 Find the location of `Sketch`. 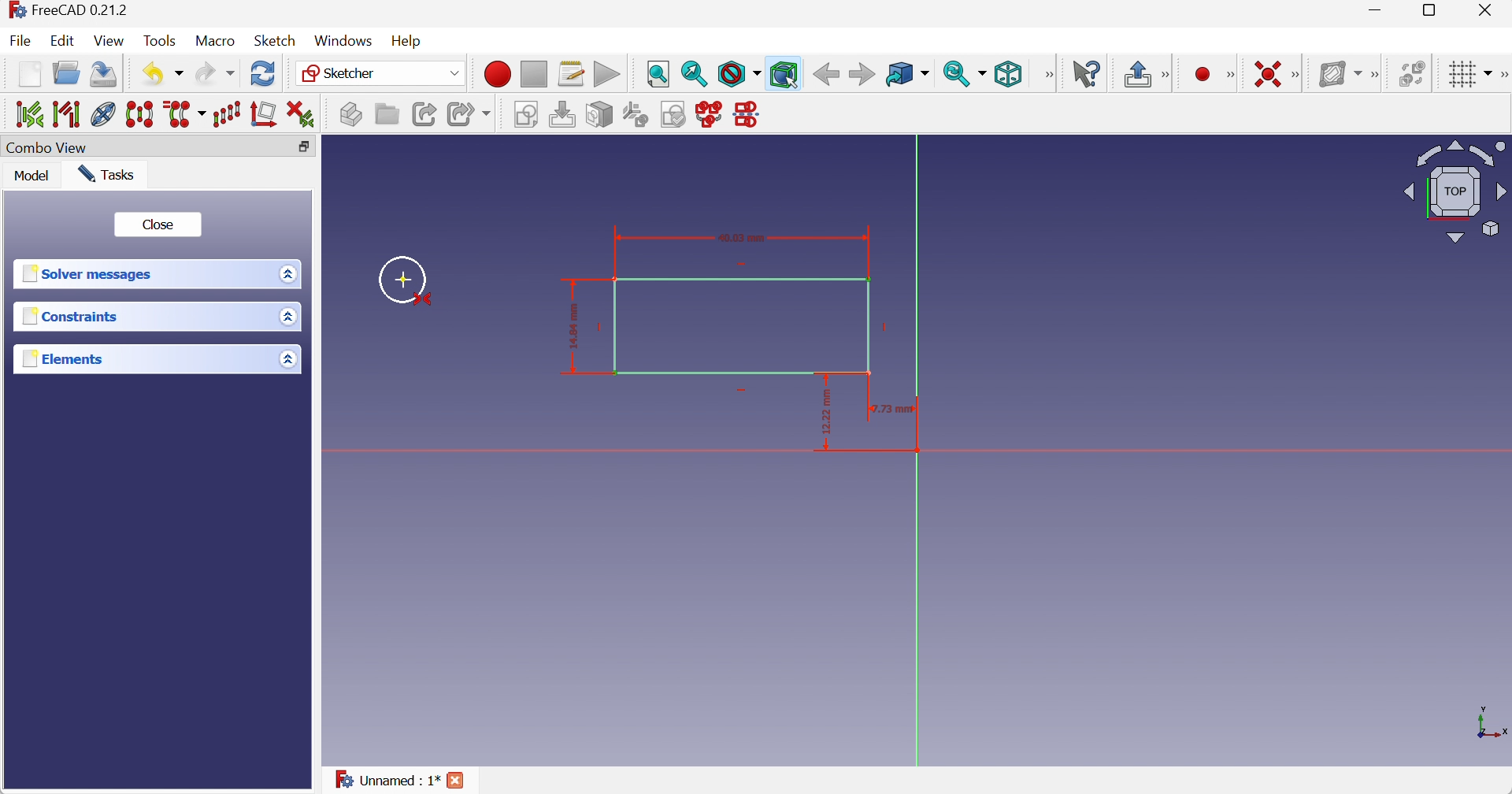

Sketch is located at coordinates (275, 40).